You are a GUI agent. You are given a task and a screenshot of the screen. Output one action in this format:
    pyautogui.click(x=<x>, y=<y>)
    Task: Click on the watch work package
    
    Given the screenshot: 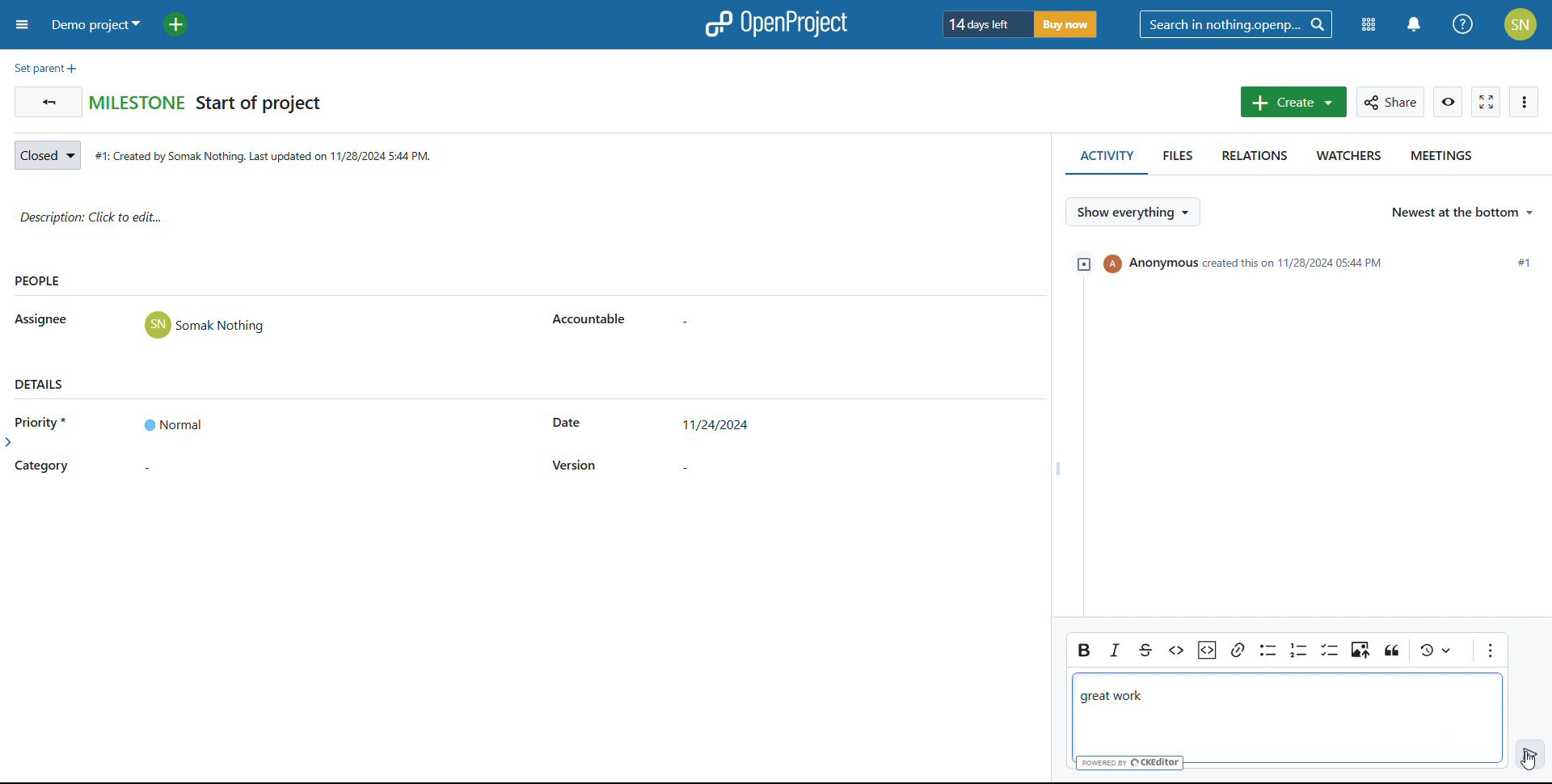 What is the action you would take?
    pyautogui.click(x=1449, y=102)
    